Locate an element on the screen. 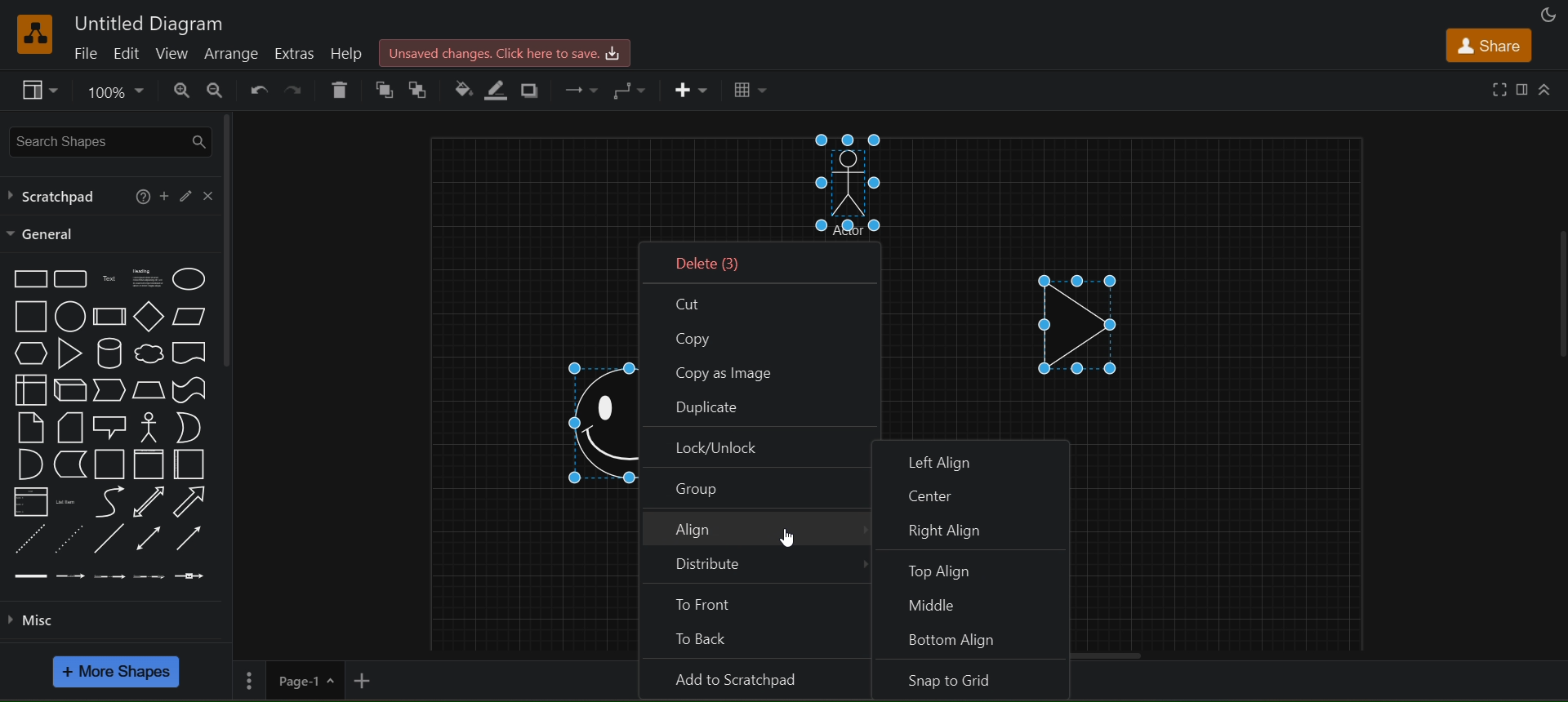  search shapes is located at coordinates (110, 139).